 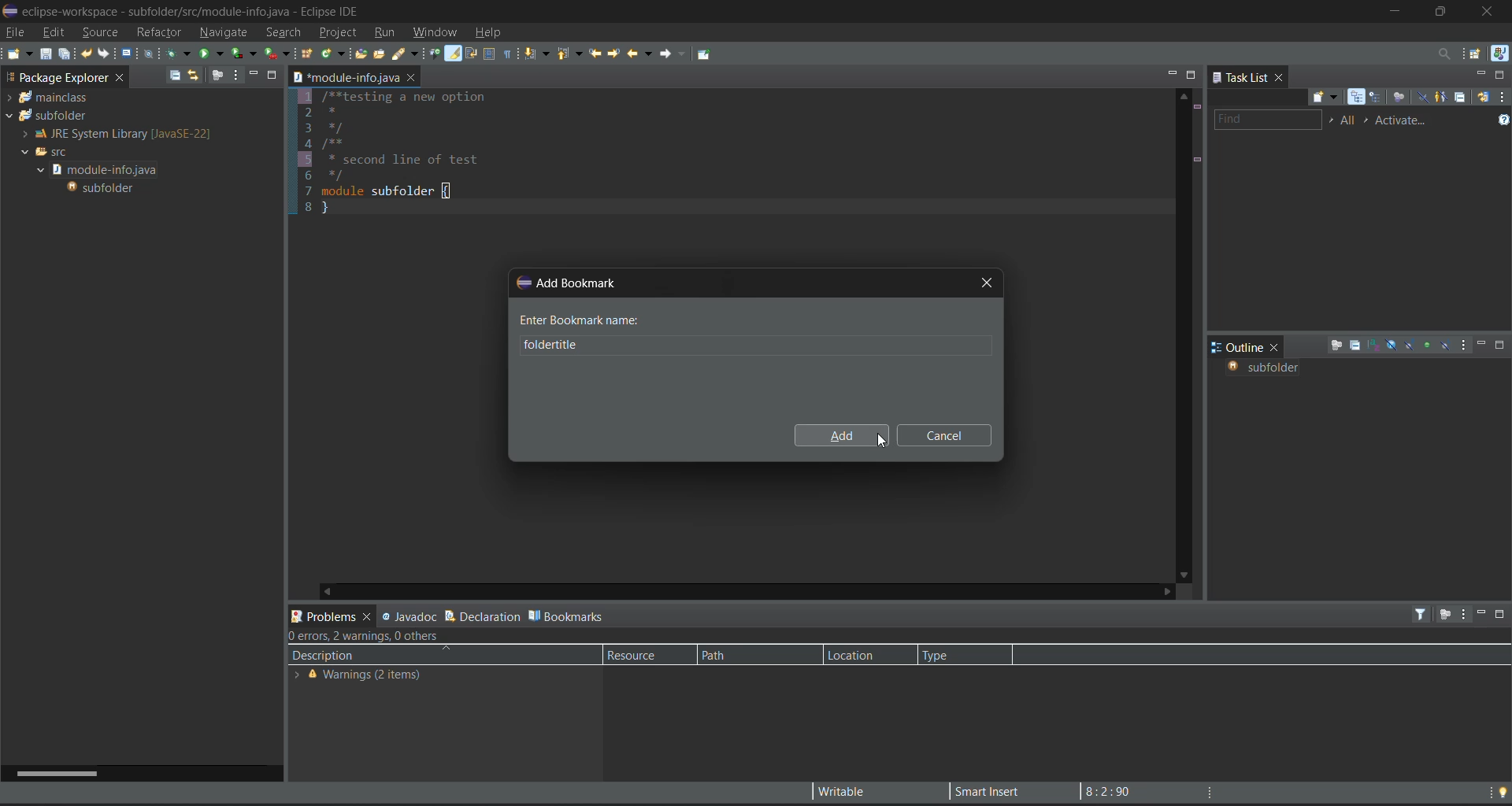 What do you see at coordinates (1401, 98) in the screenshot?
I see `focus on workweek` at bounding box center [1401, 98].